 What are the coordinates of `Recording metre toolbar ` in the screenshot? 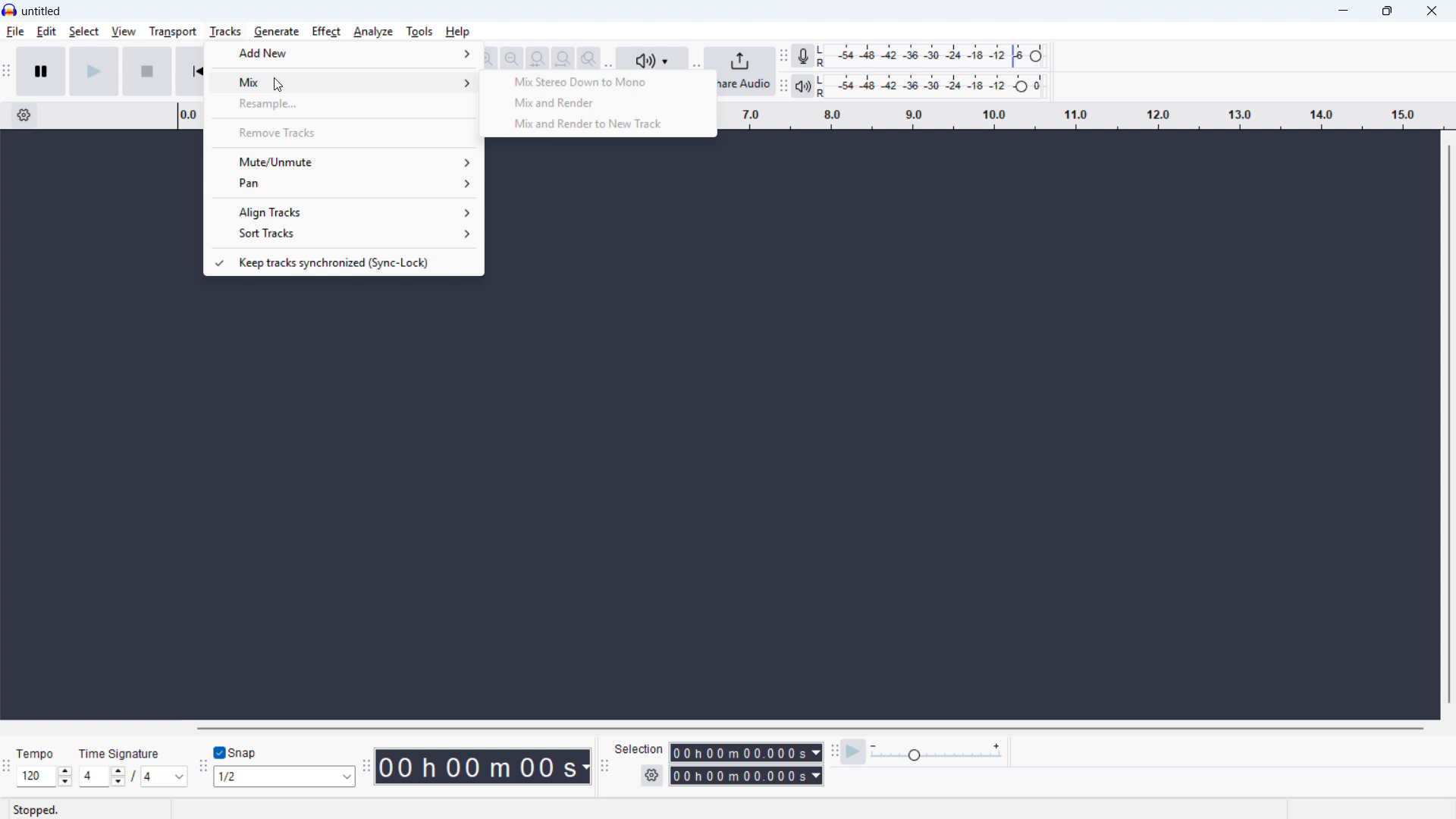 It's located at (783, 56).